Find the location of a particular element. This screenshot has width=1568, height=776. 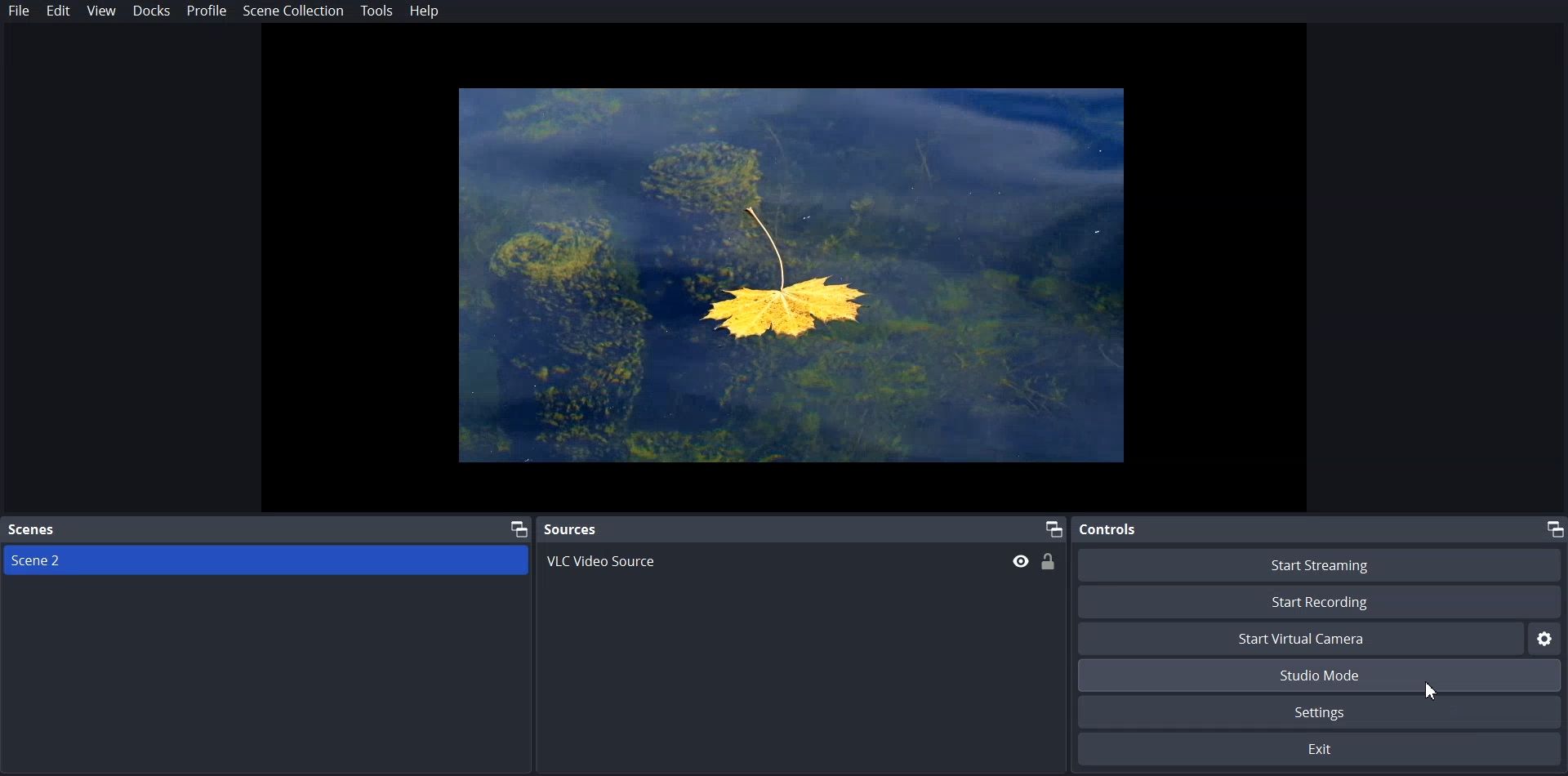

Help is located at coordinates (425, 11).